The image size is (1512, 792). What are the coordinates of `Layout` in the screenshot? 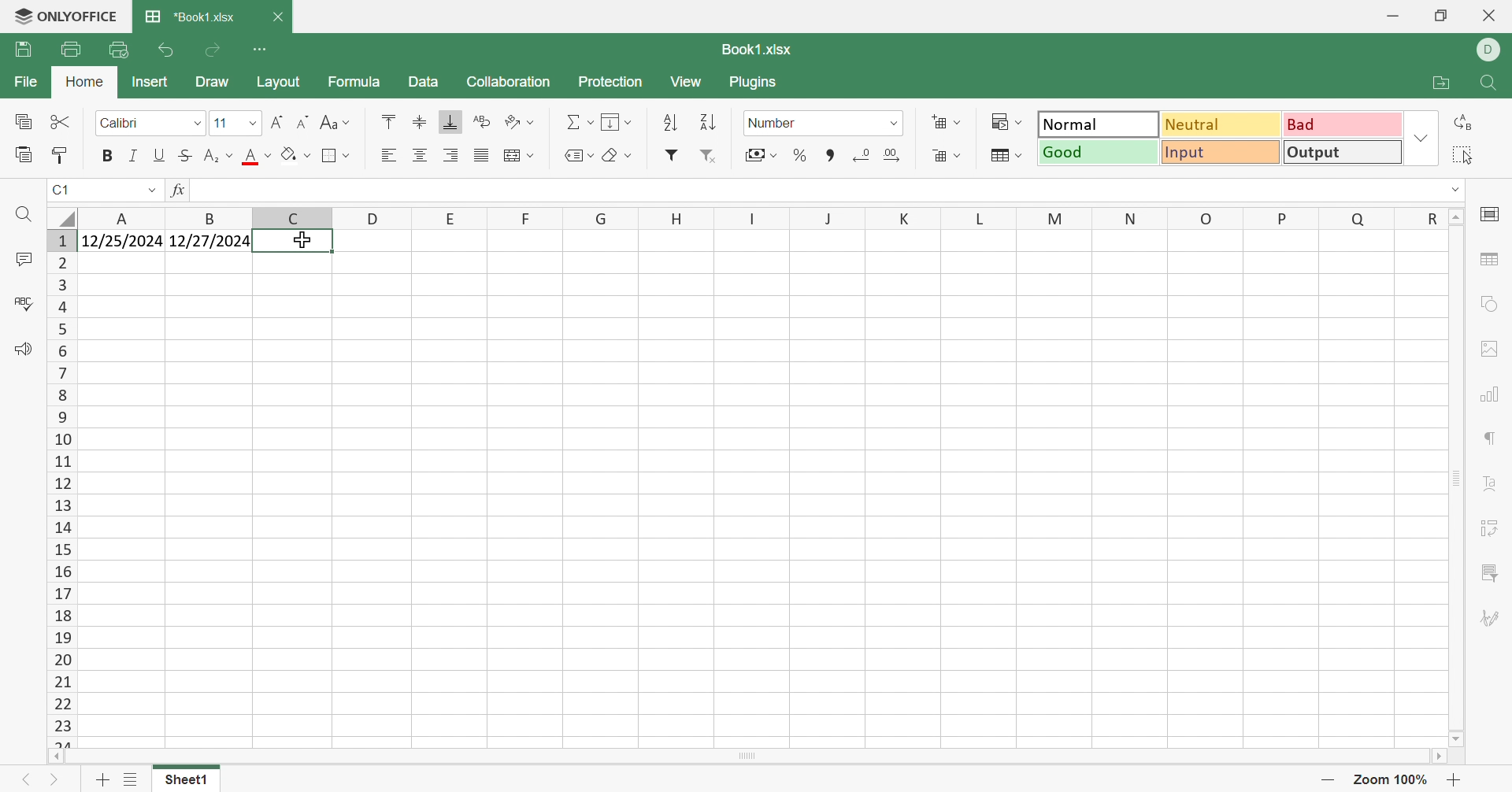 It's located at (280, 84).